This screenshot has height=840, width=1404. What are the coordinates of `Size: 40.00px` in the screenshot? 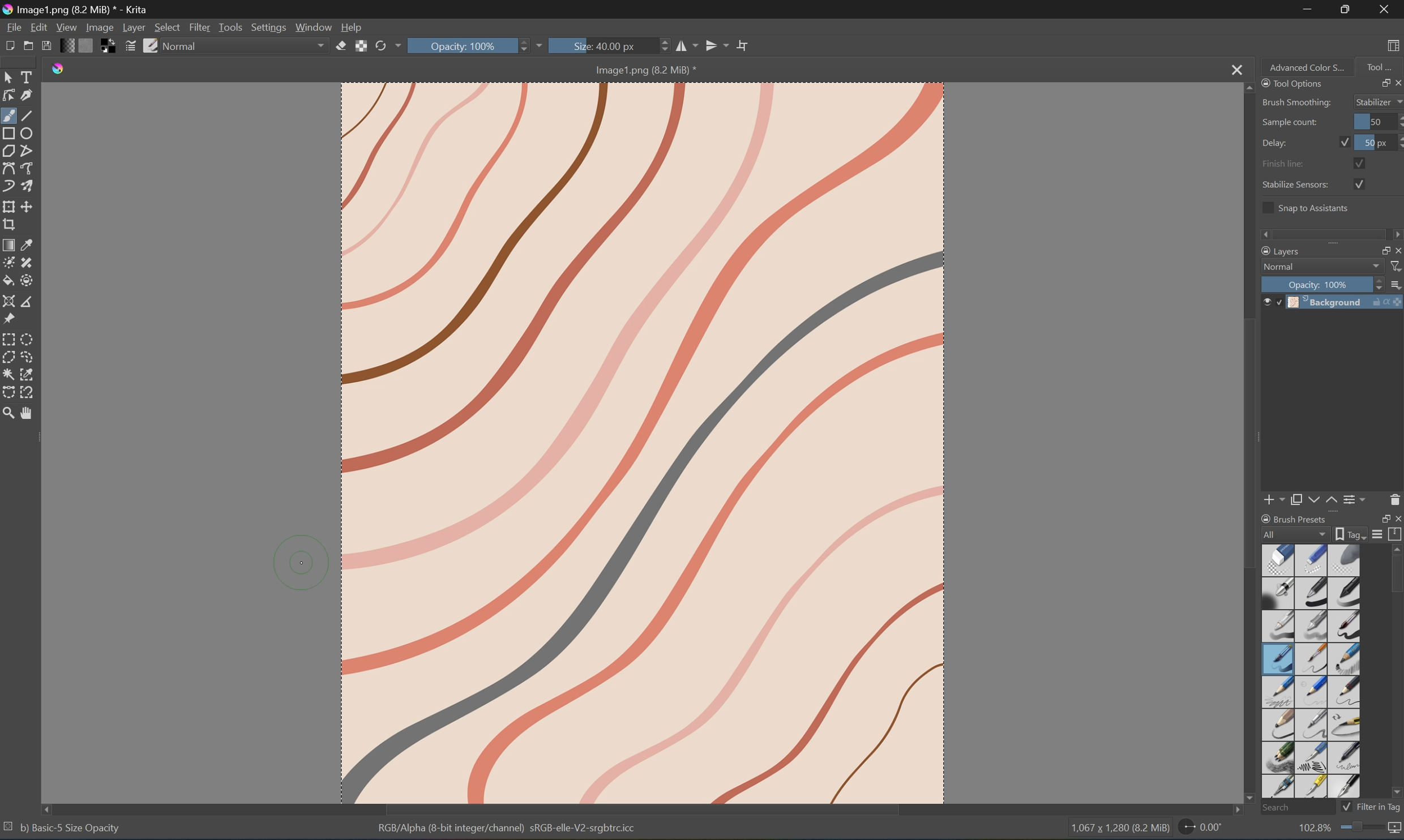 It's located at (602, 46).